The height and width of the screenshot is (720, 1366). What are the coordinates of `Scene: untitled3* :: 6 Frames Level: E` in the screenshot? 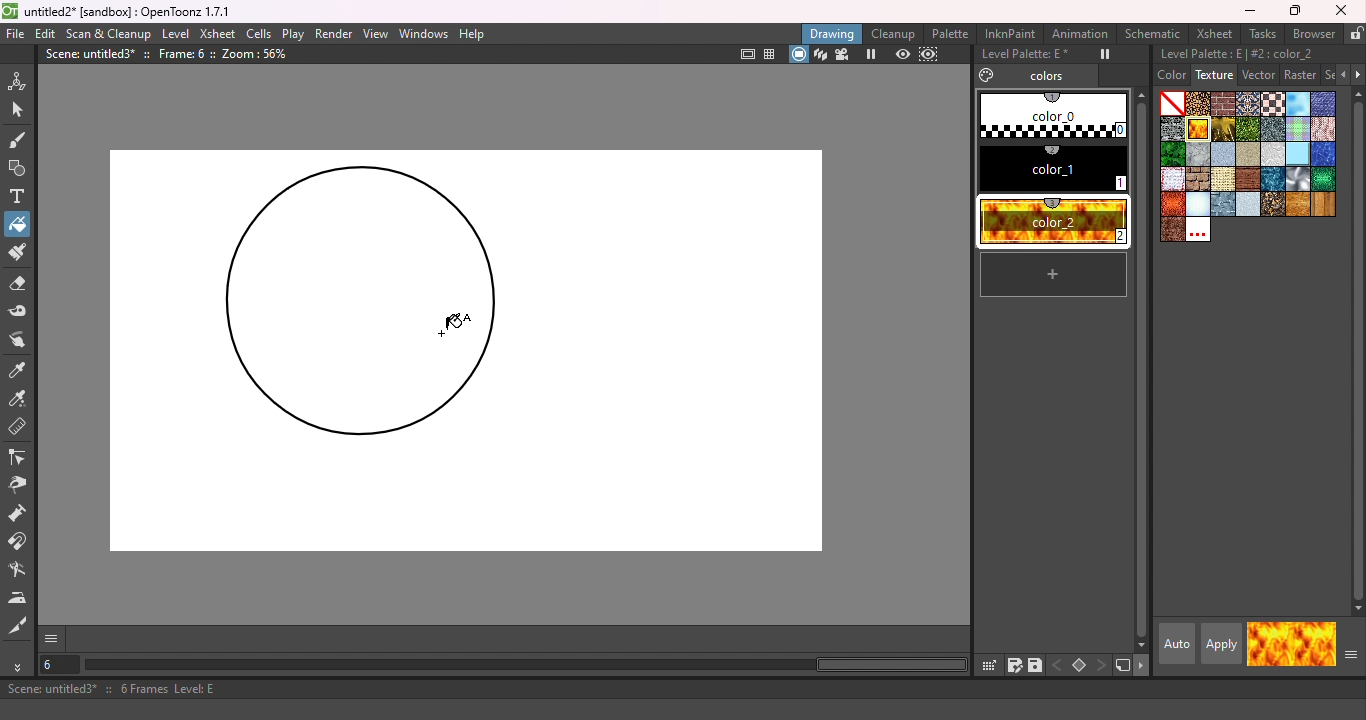 It's located at (683, 691).